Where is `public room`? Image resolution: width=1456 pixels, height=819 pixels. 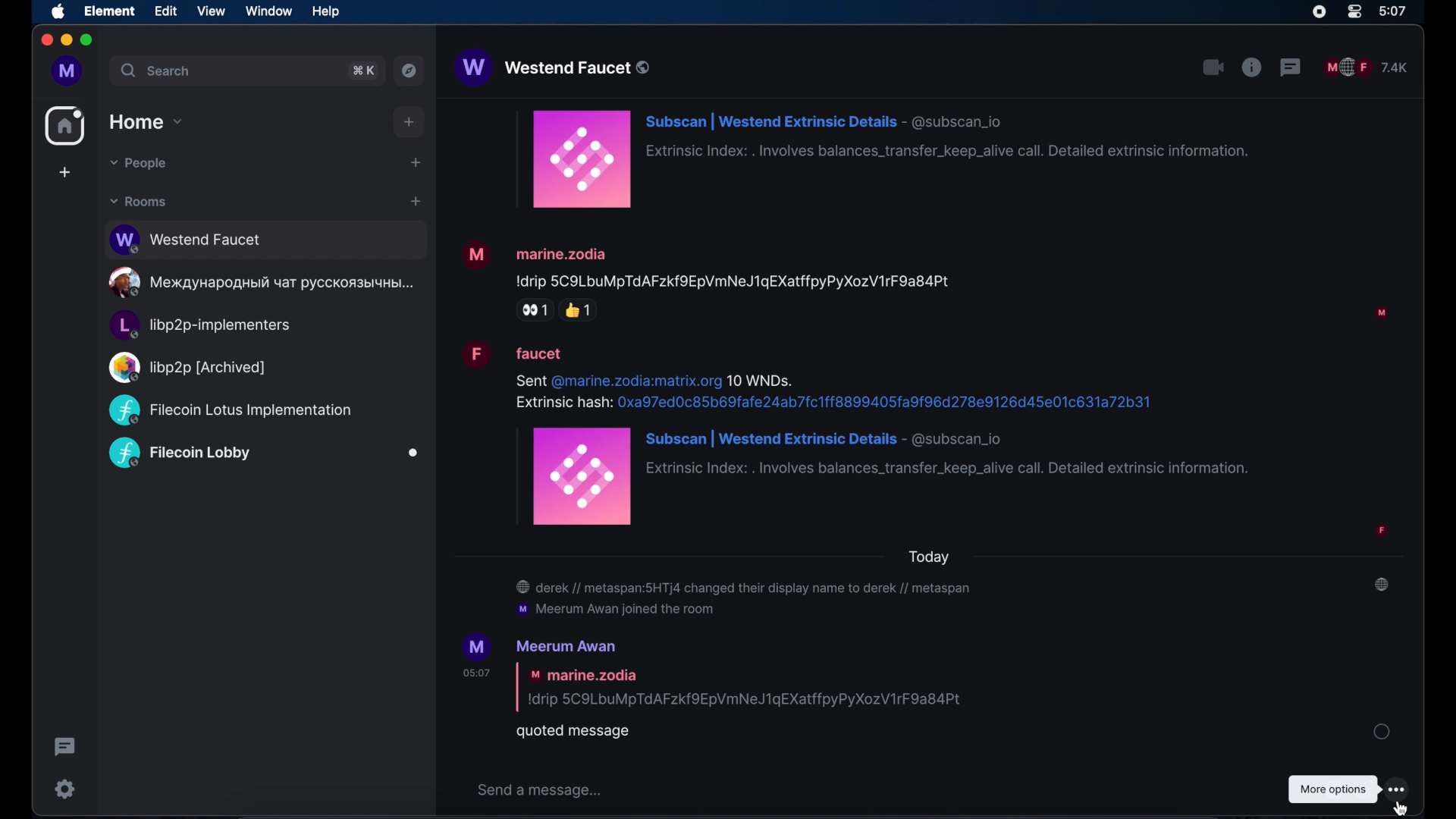 public room is located at coordinates (186, 367).